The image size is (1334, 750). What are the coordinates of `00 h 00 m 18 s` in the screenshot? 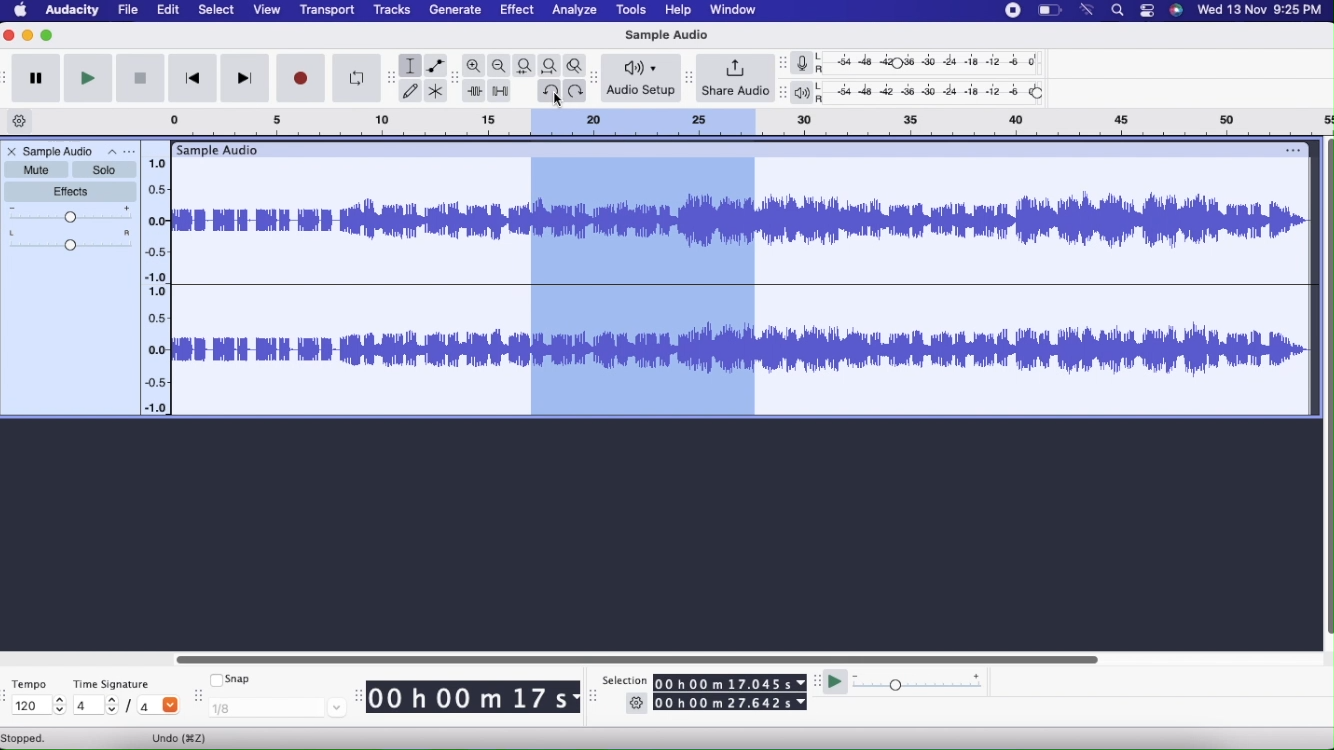 It's located at (473, 699).